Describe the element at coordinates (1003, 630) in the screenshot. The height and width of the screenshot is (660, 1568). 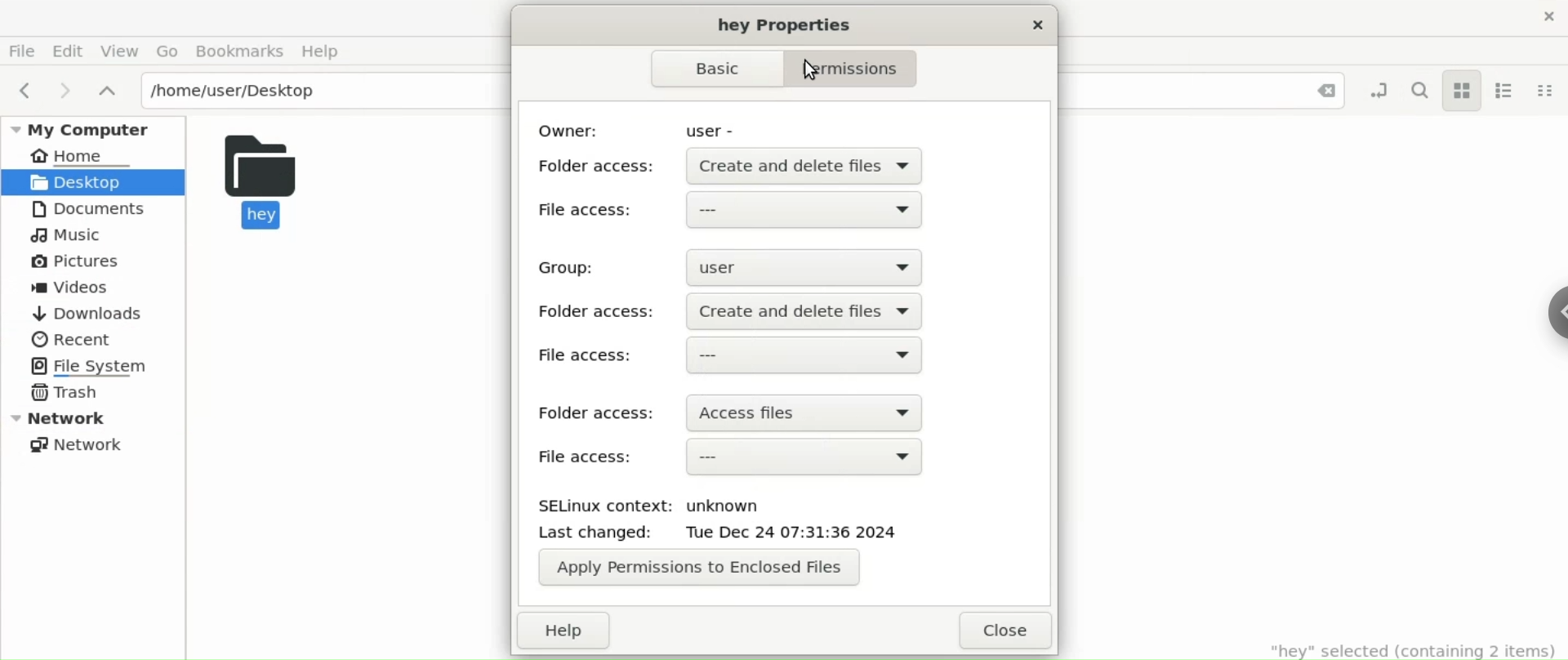
I see `close` at that location.